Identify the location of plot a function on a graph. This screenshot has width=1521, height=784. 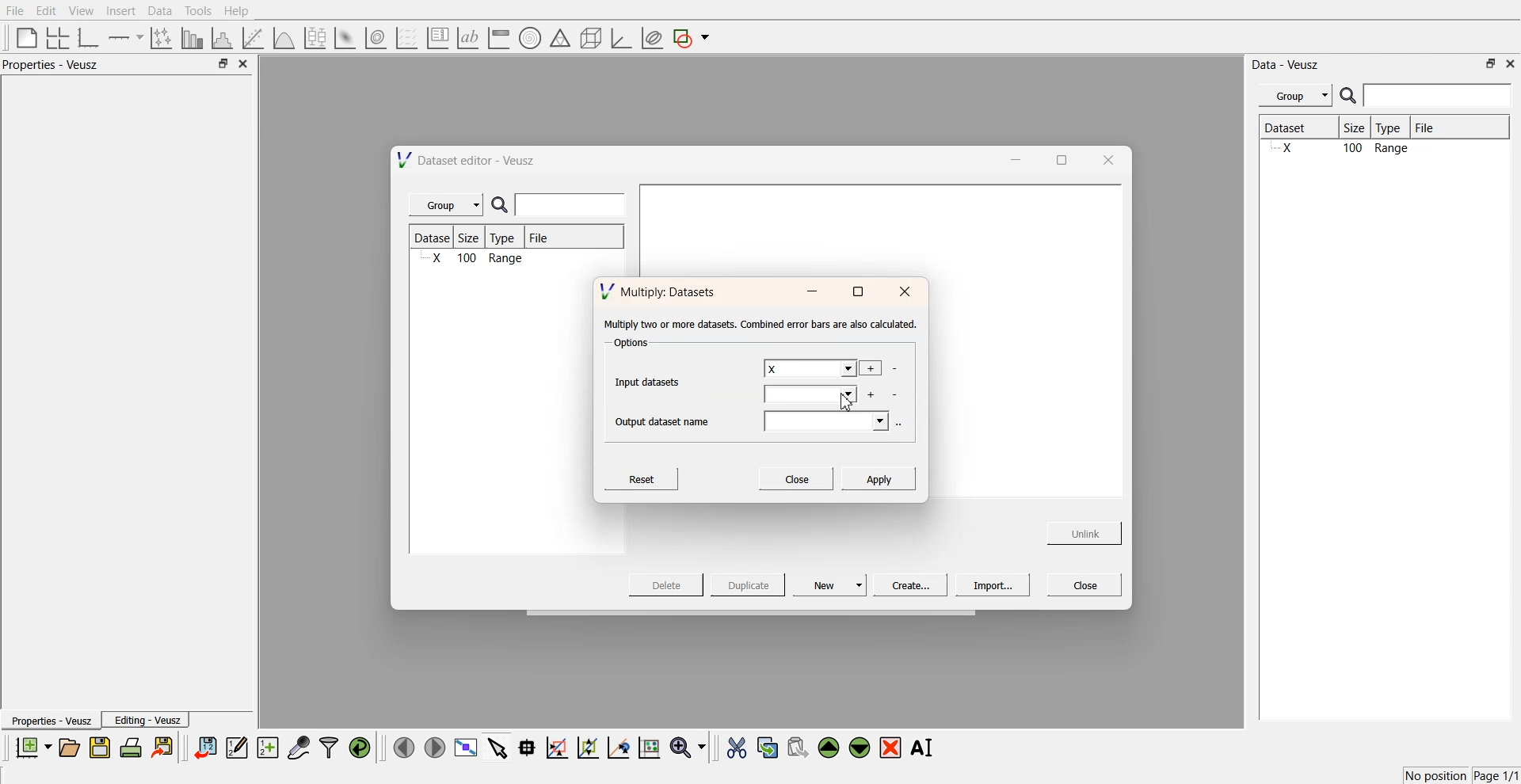
(284, 36).